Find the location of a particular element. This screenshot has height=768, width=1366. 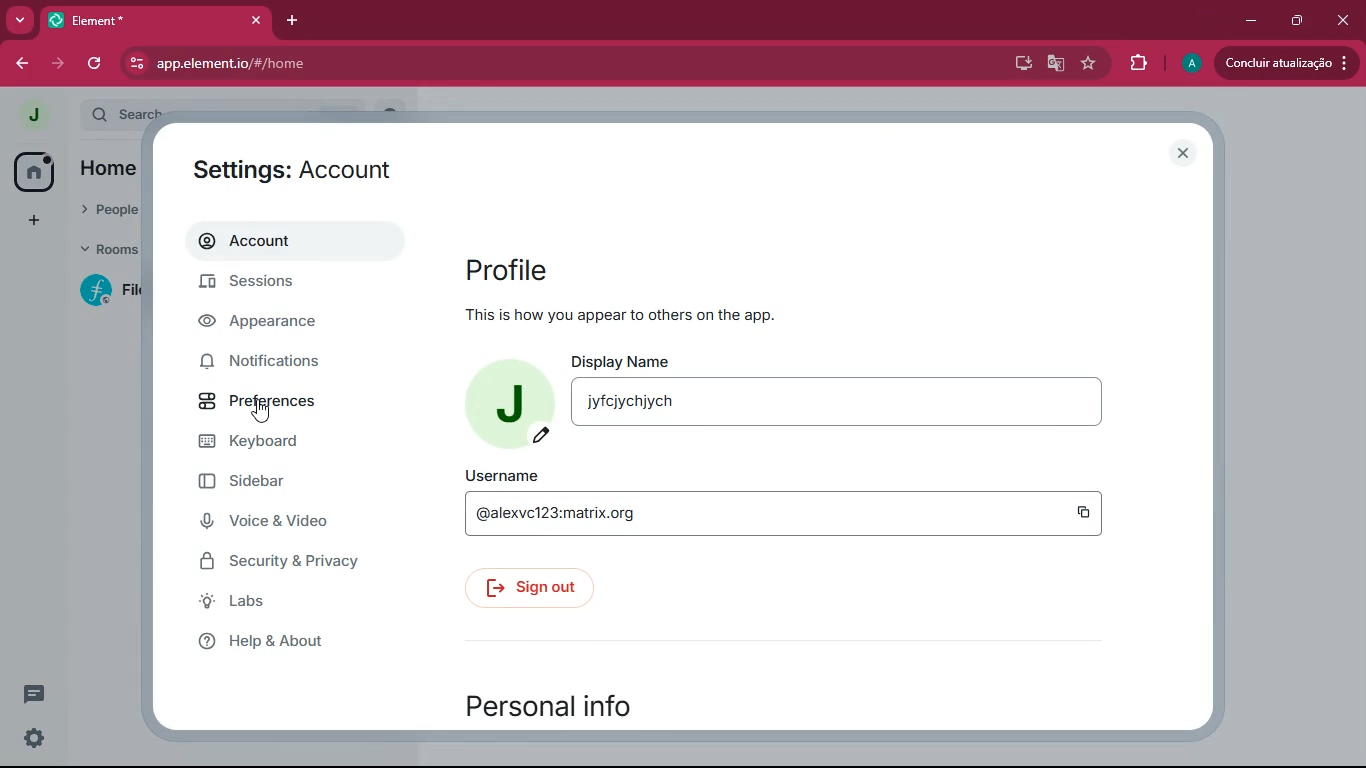

profile picture is located at coordinates (513, 402).